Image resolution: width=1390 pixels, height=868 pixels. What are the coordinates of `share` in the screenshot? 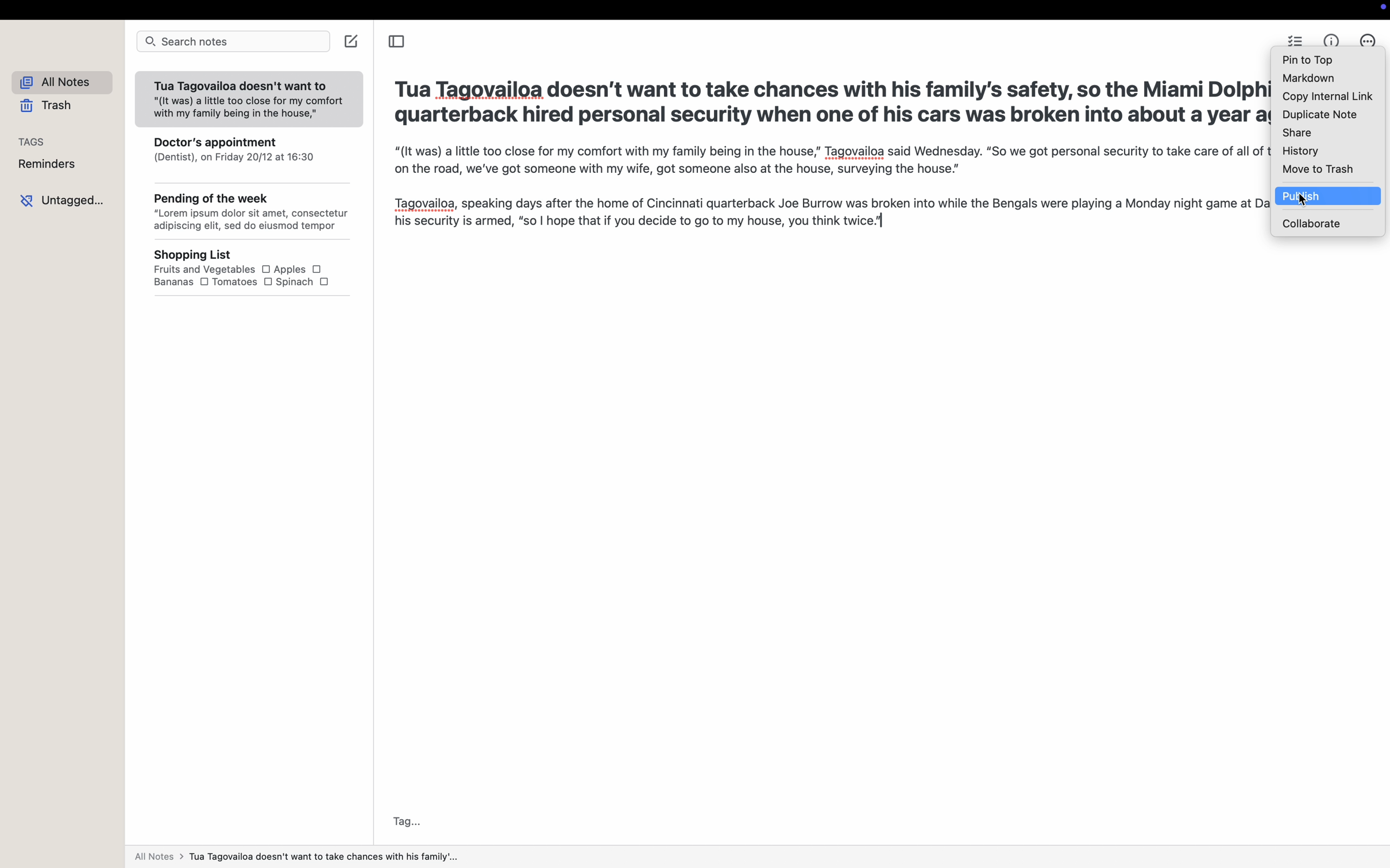 It's located at (1295, 133).